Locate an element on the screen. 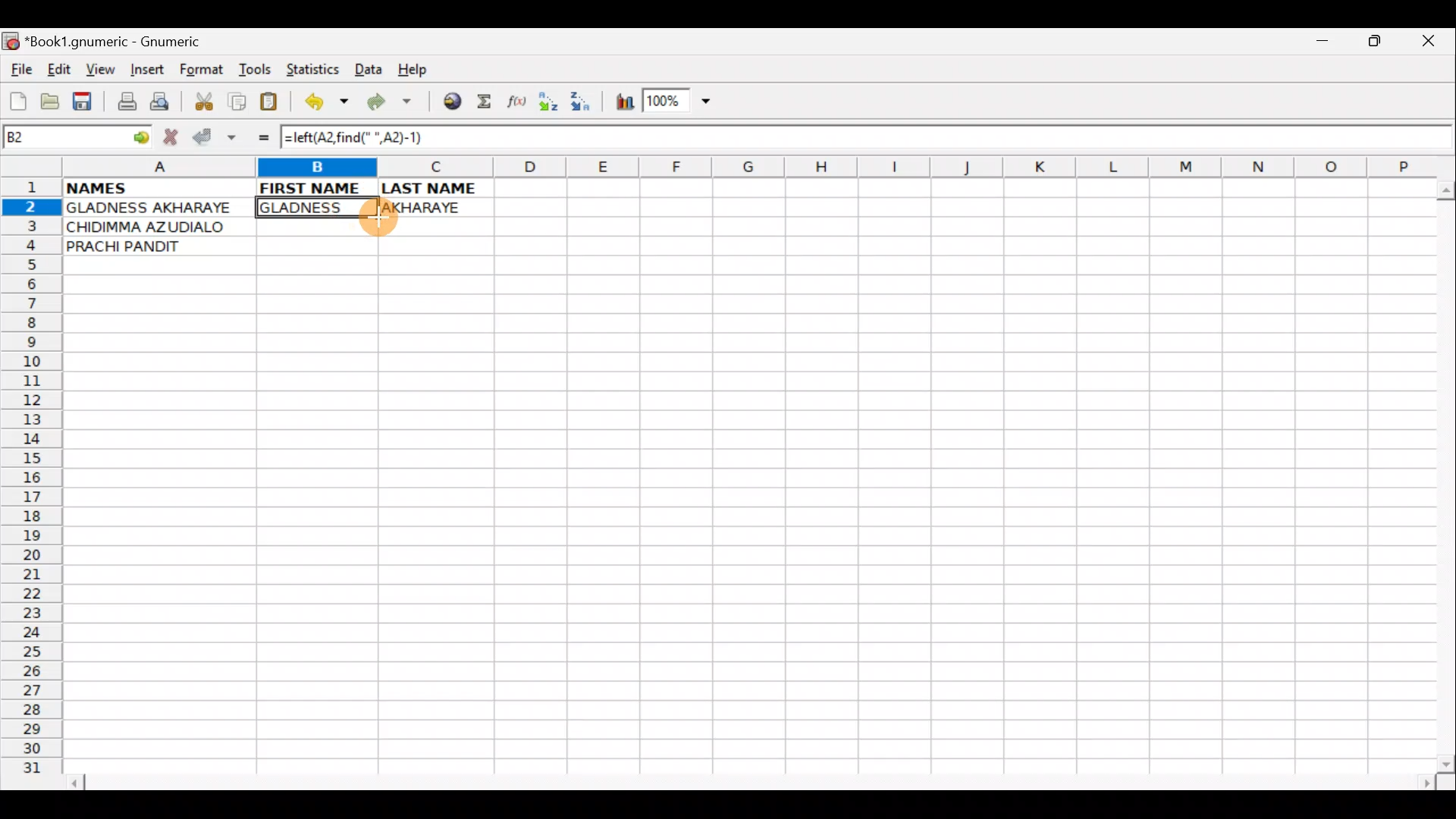  Minimize is located at coordinates (1319, 45).